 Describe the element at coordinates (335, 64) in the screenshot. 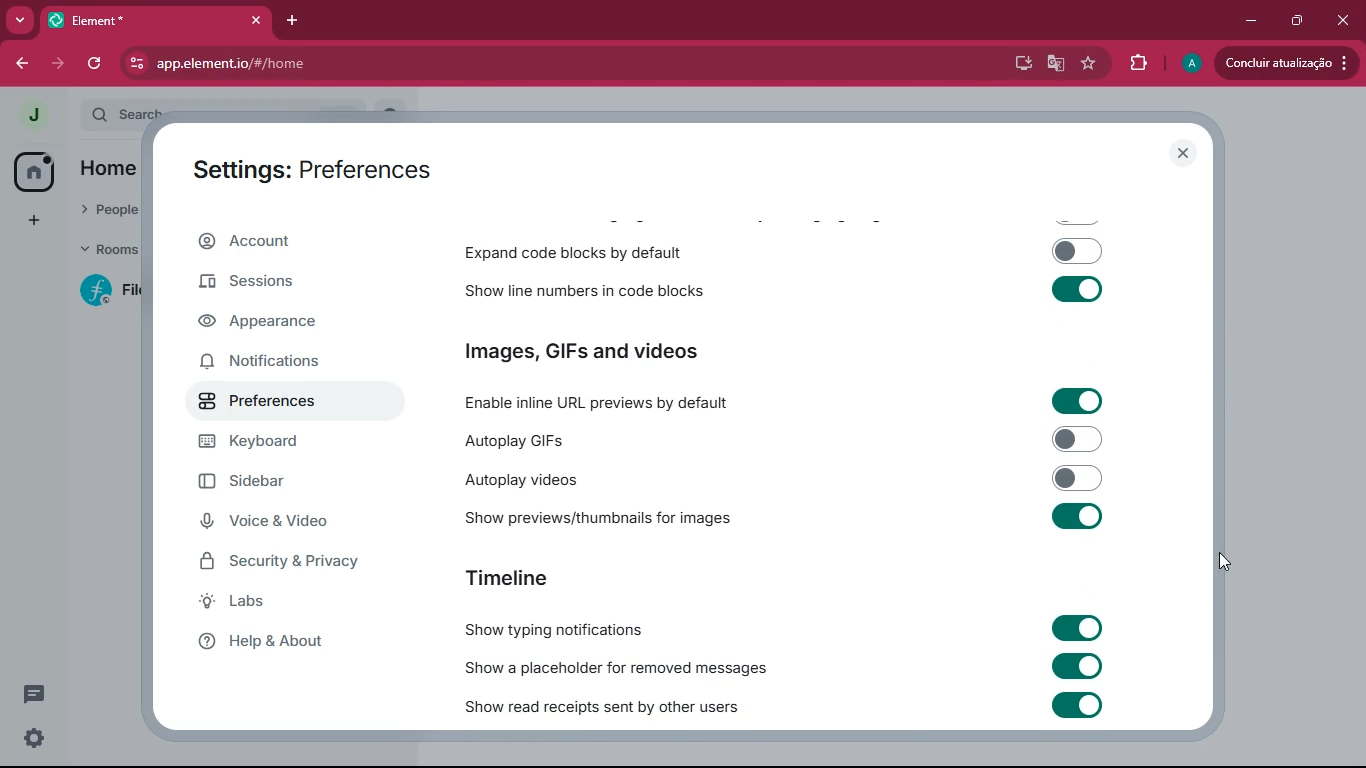

I see `app.element.io/#/home` at that location.